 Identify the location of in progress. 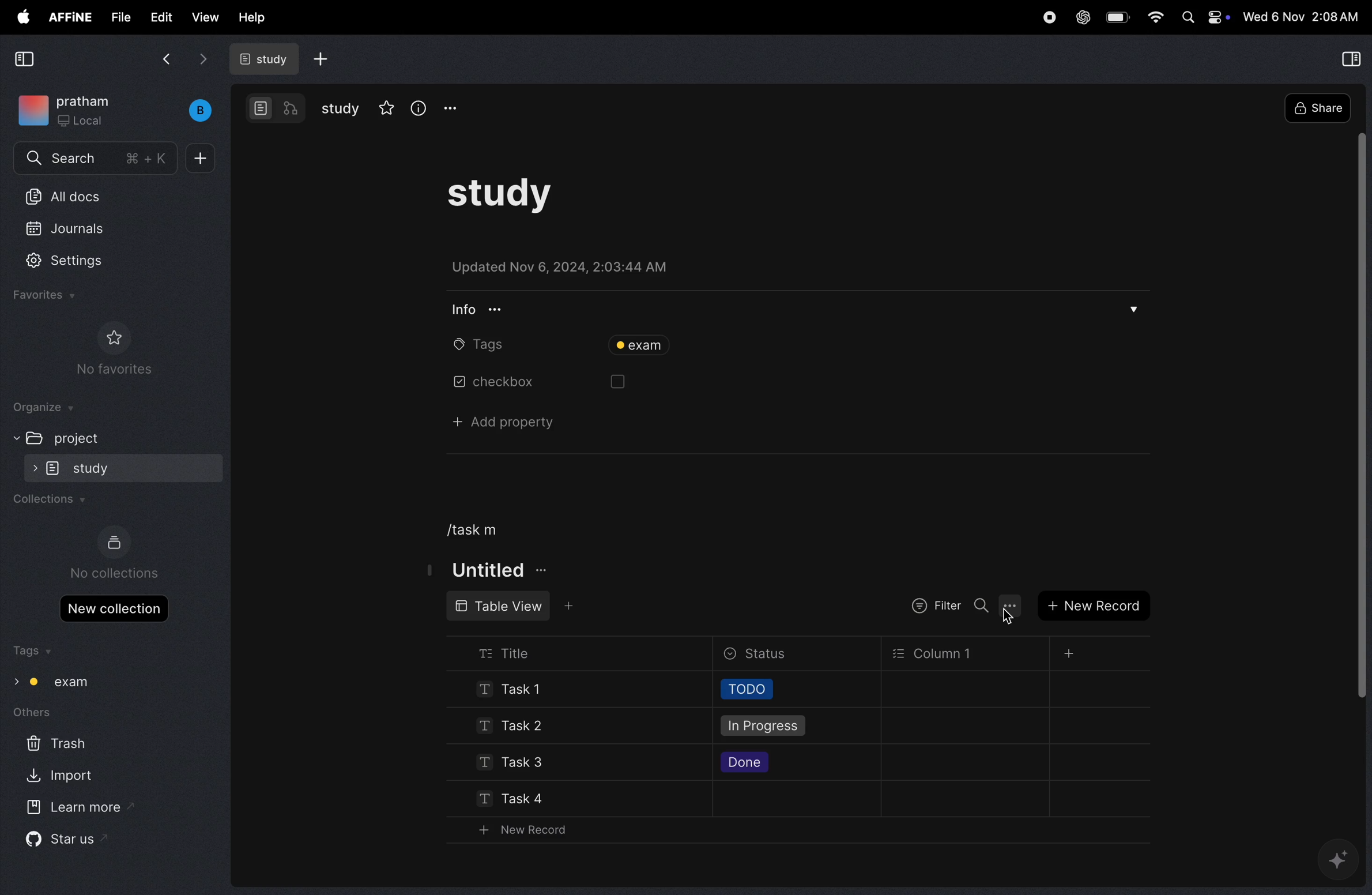
(760, 728).